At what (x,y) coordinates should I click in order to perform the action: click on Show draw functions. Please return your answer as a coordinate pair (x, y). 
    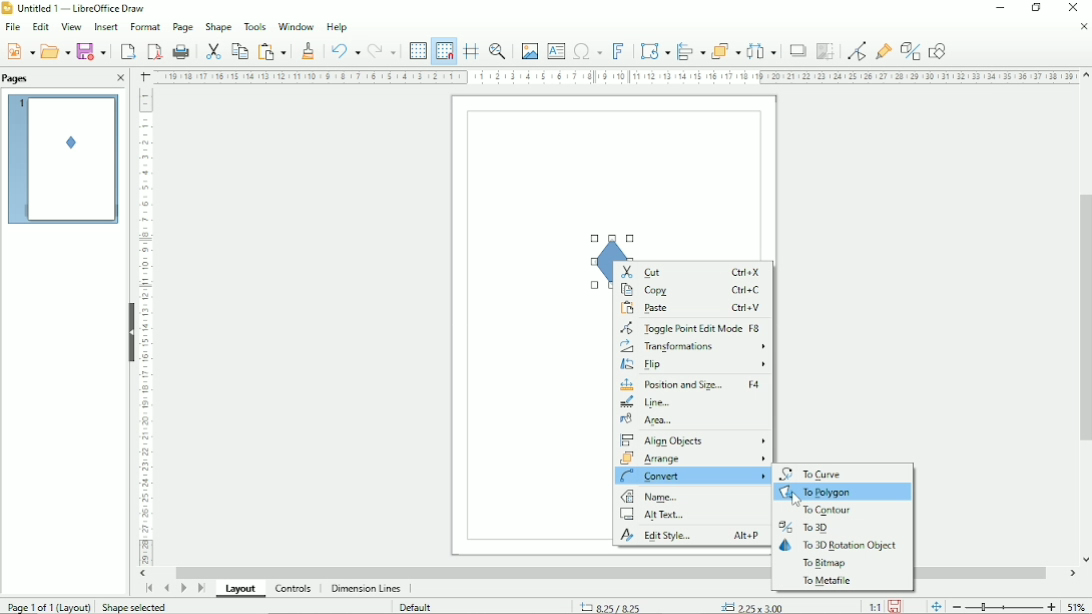
    Looking at the image, I should click on (940, 49).